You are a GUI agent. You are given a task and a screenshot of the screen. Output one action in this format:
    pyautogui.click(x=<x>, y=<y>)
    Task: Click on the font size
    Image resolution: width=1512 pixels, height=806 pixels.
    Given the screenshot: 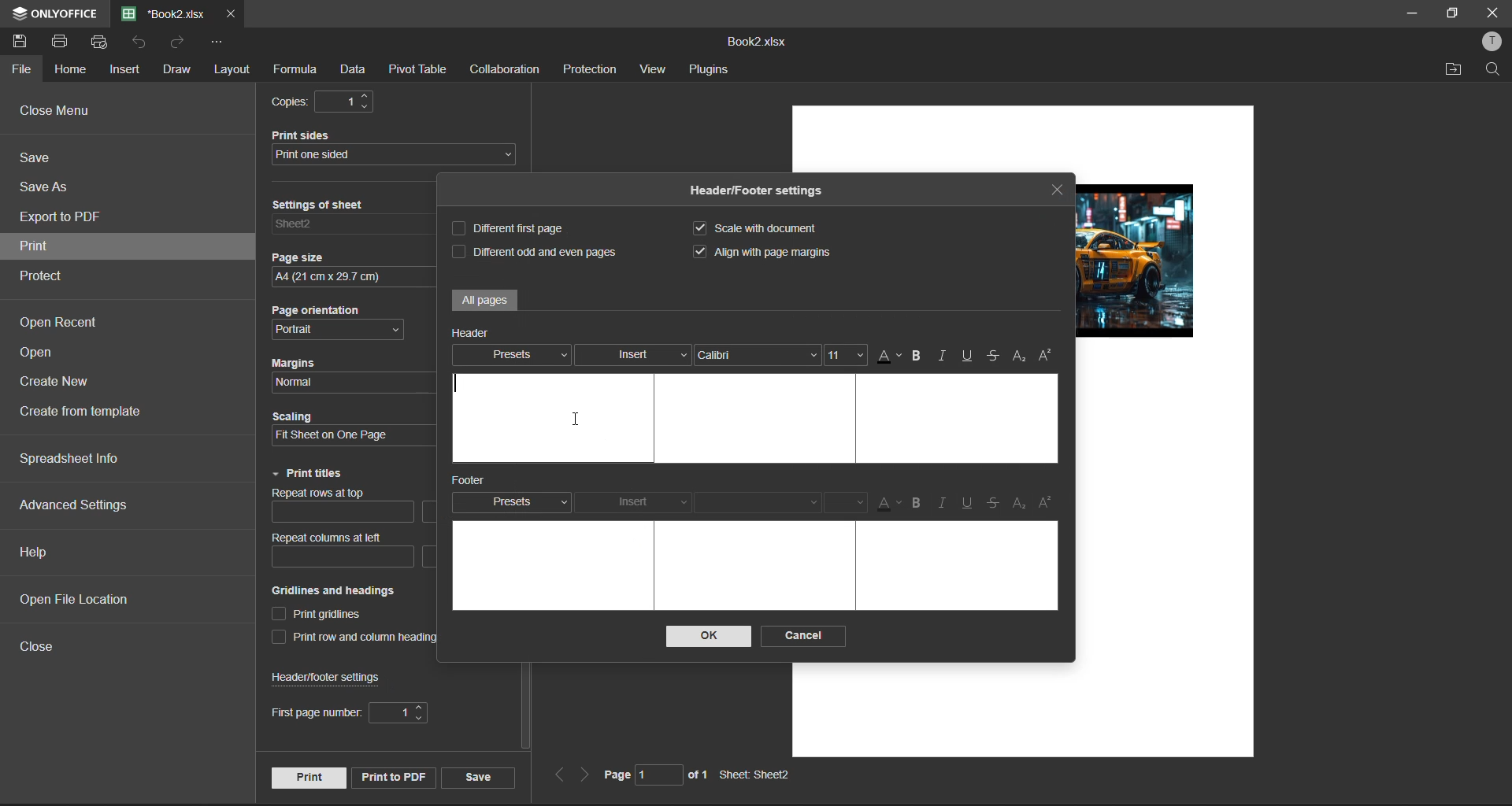 What is the action you would take?
    pyautogui.click(x=846, y=356)
    